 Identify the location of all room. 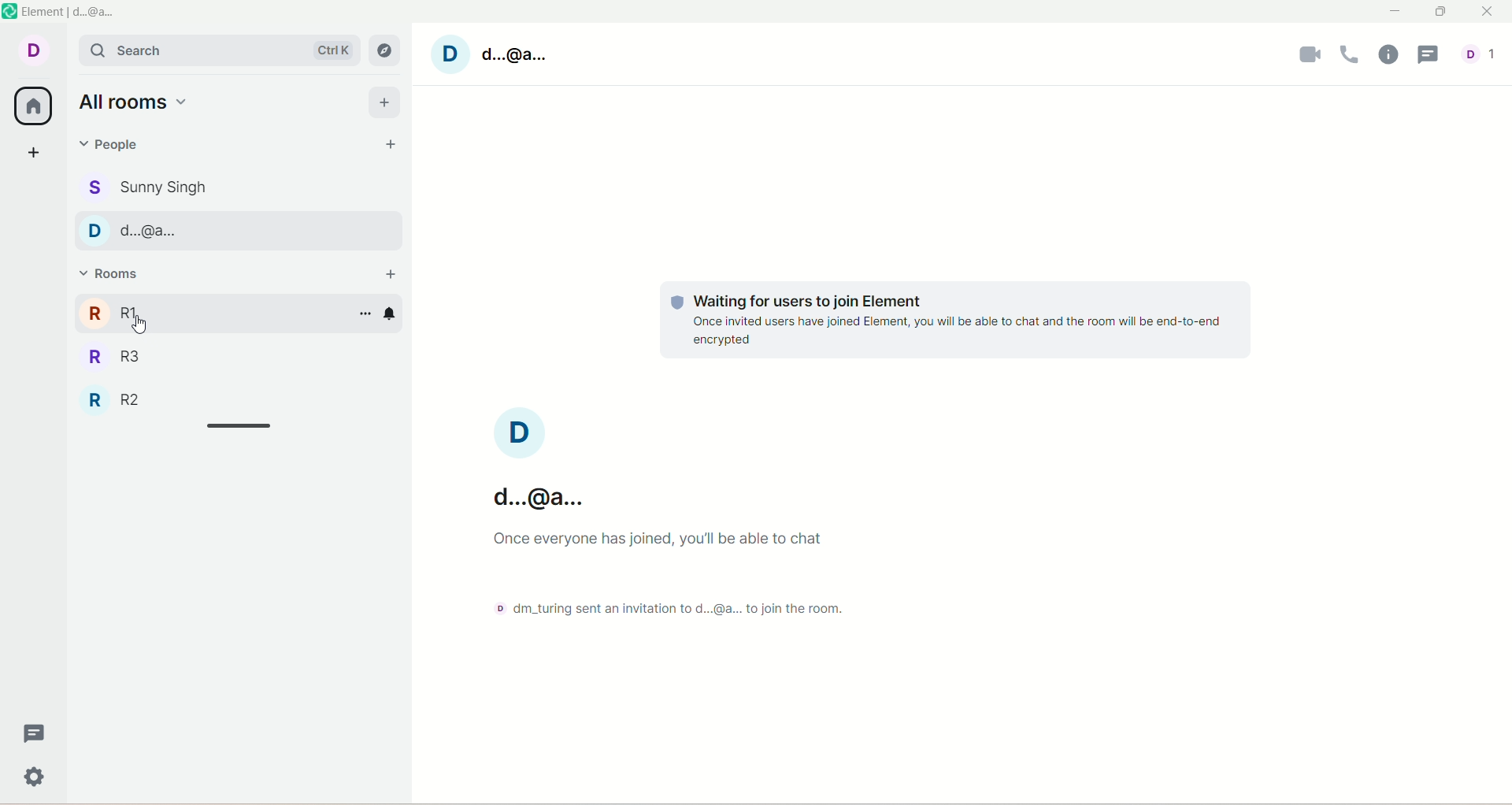
(31, 107).